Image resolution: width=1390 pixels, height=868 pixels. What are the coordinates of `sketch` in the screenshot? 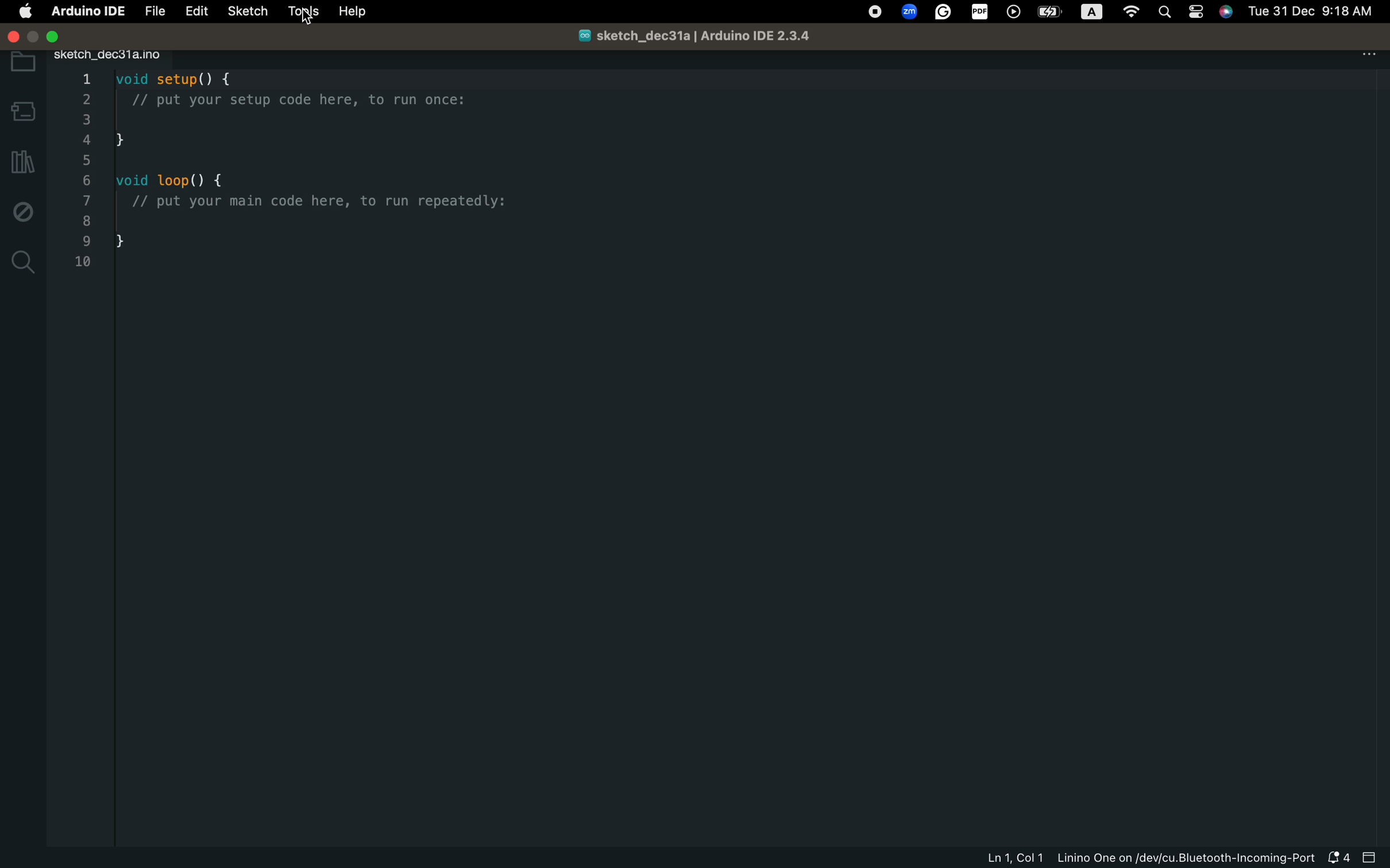 It's located at (243, 11).